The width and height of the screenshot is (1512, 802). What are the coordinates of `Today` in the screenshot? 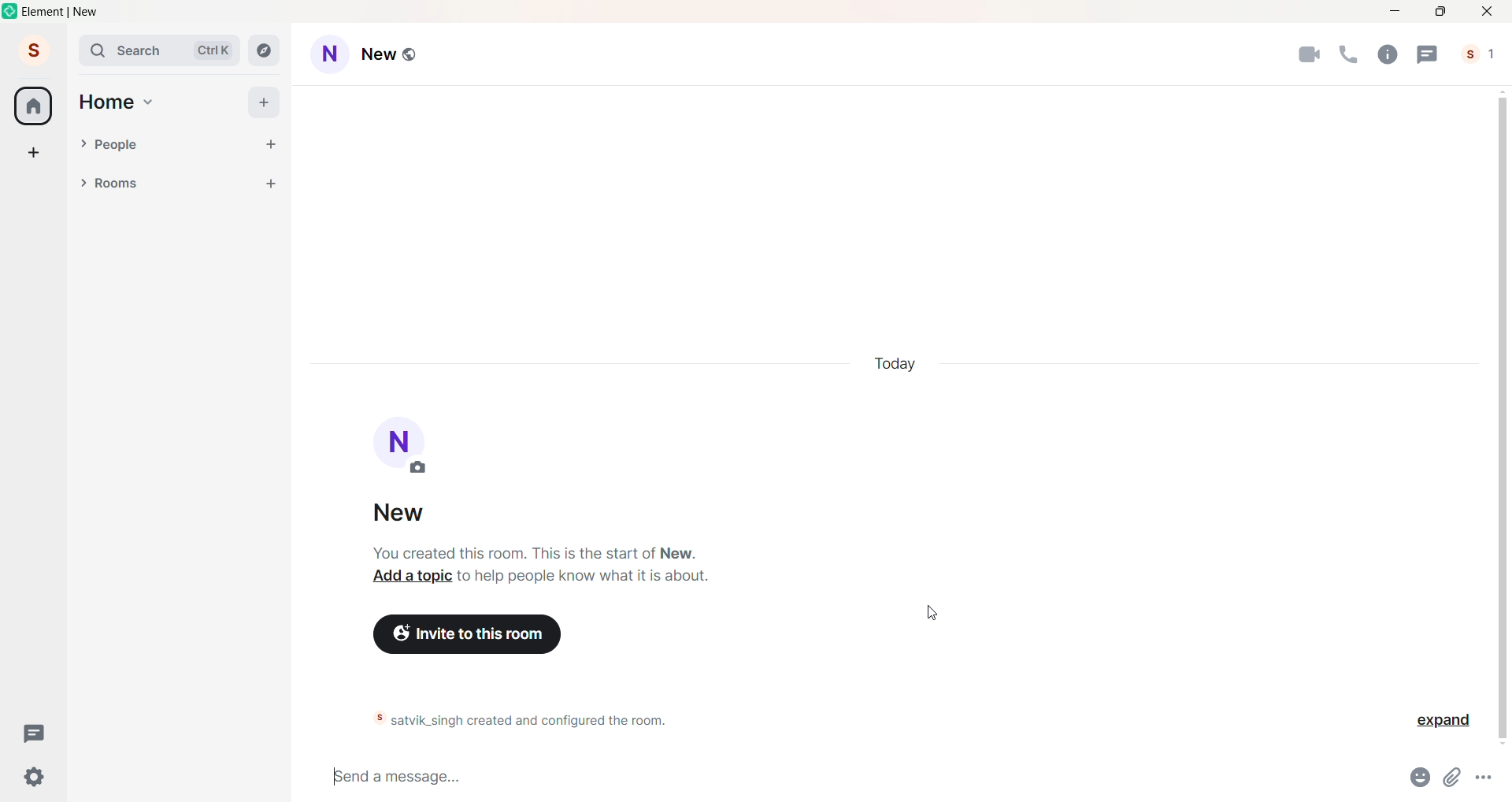 It's located at (901, 362).